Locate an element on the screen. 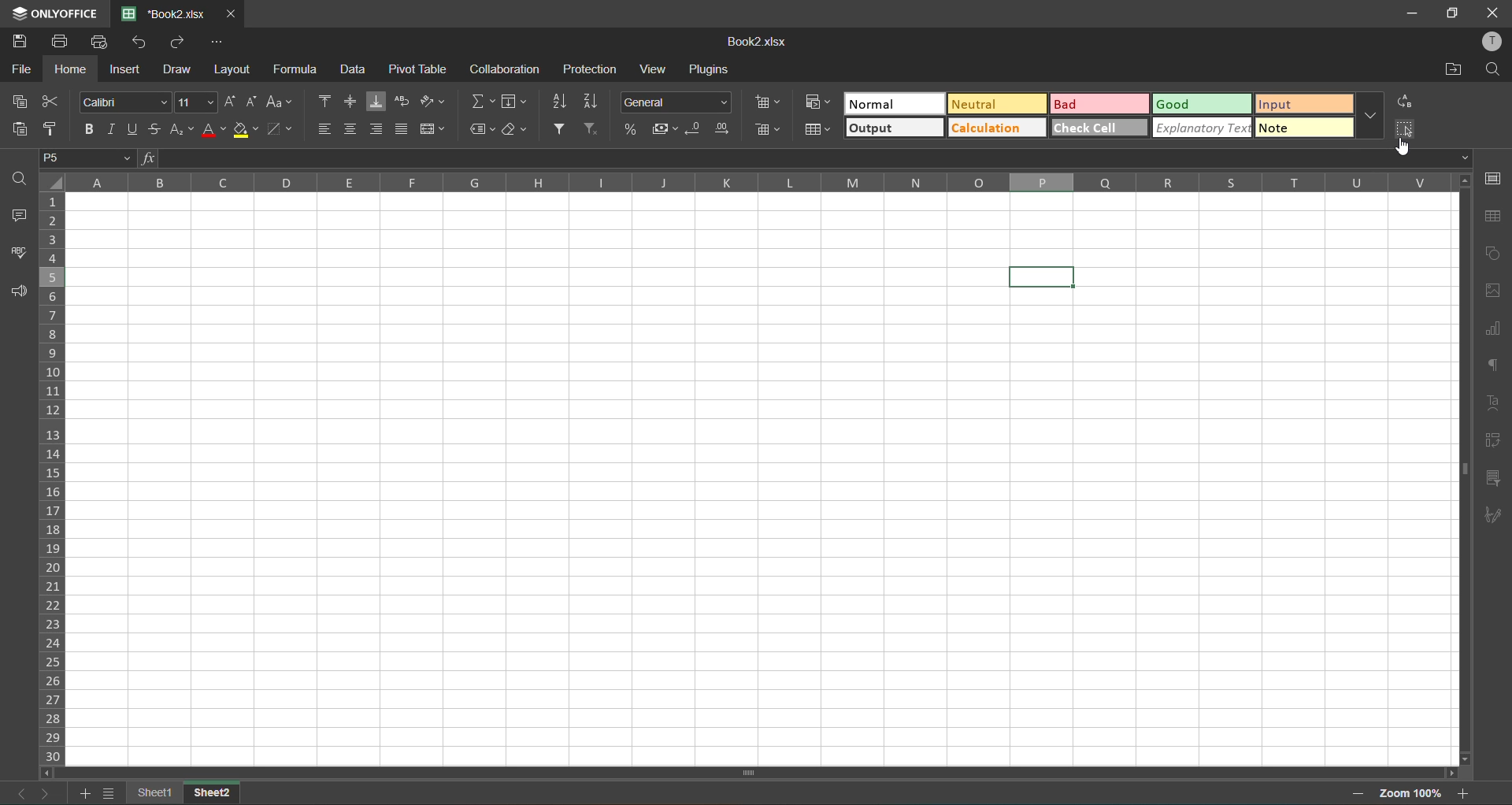 This screenshot has width=1512, height=805. neutral is located at coordinates (995, 105).